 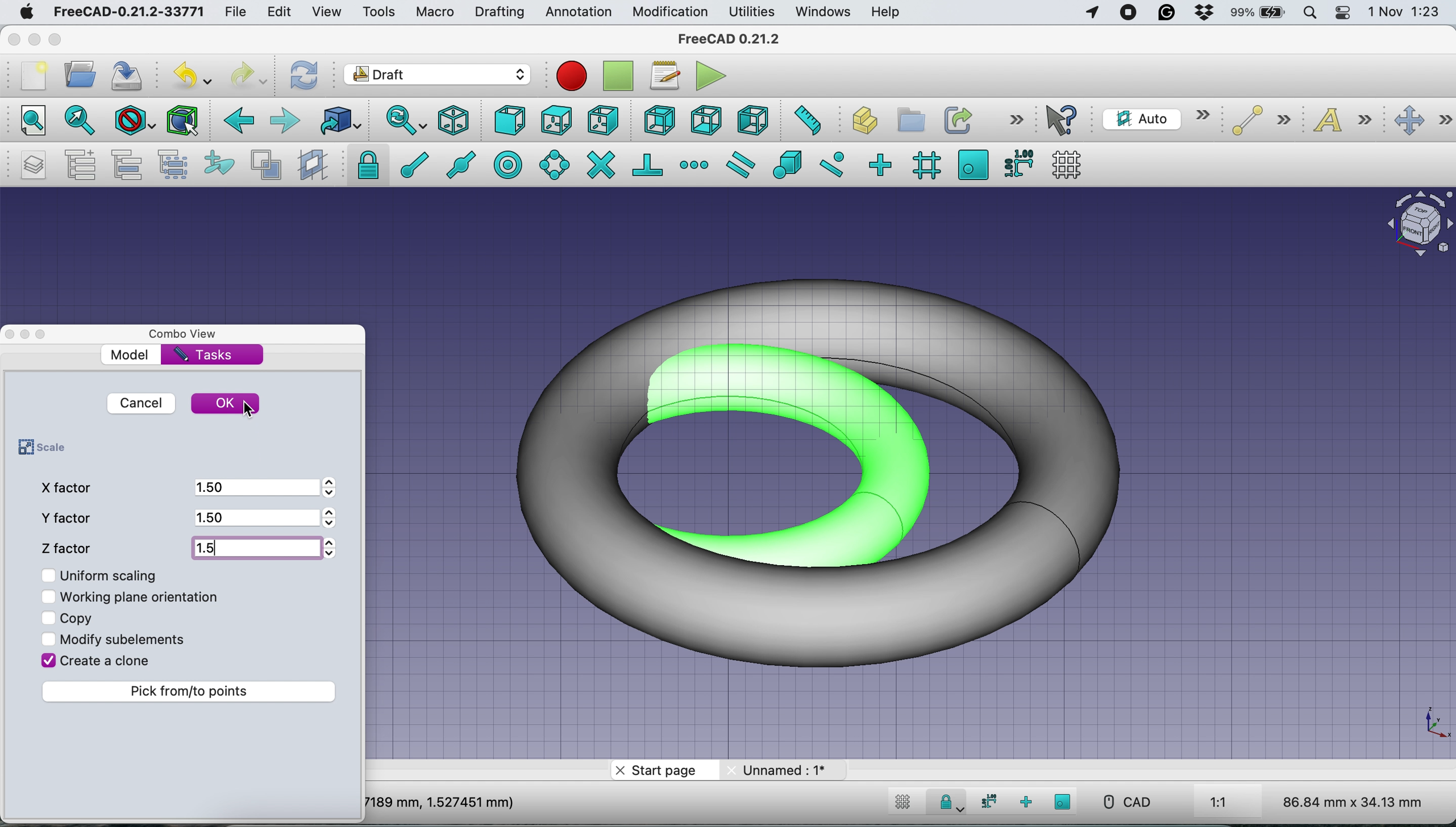 I want to click on isometric, so click(x=455, y=120).